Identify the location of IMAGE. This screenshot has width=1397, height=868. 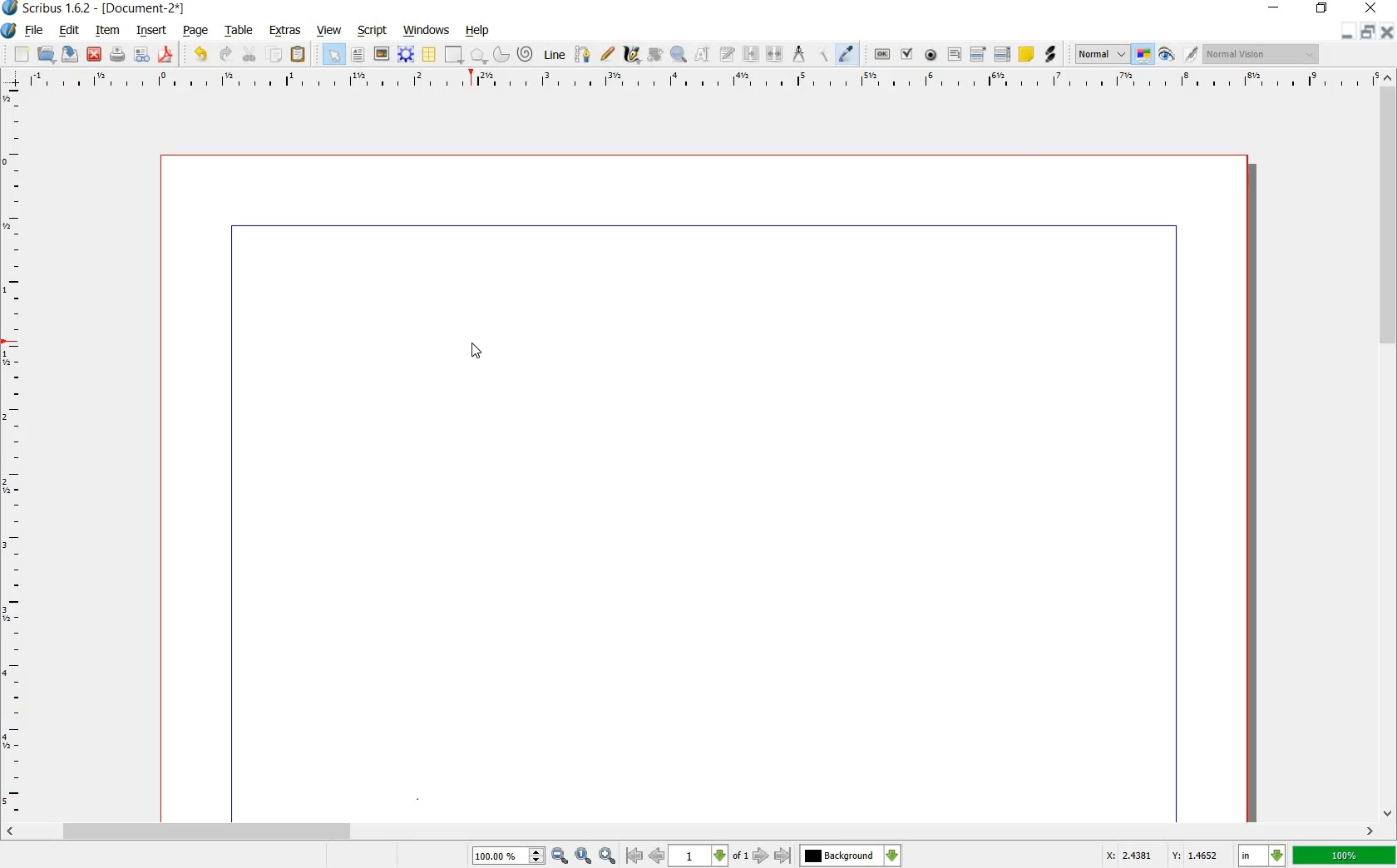
(382, 53).